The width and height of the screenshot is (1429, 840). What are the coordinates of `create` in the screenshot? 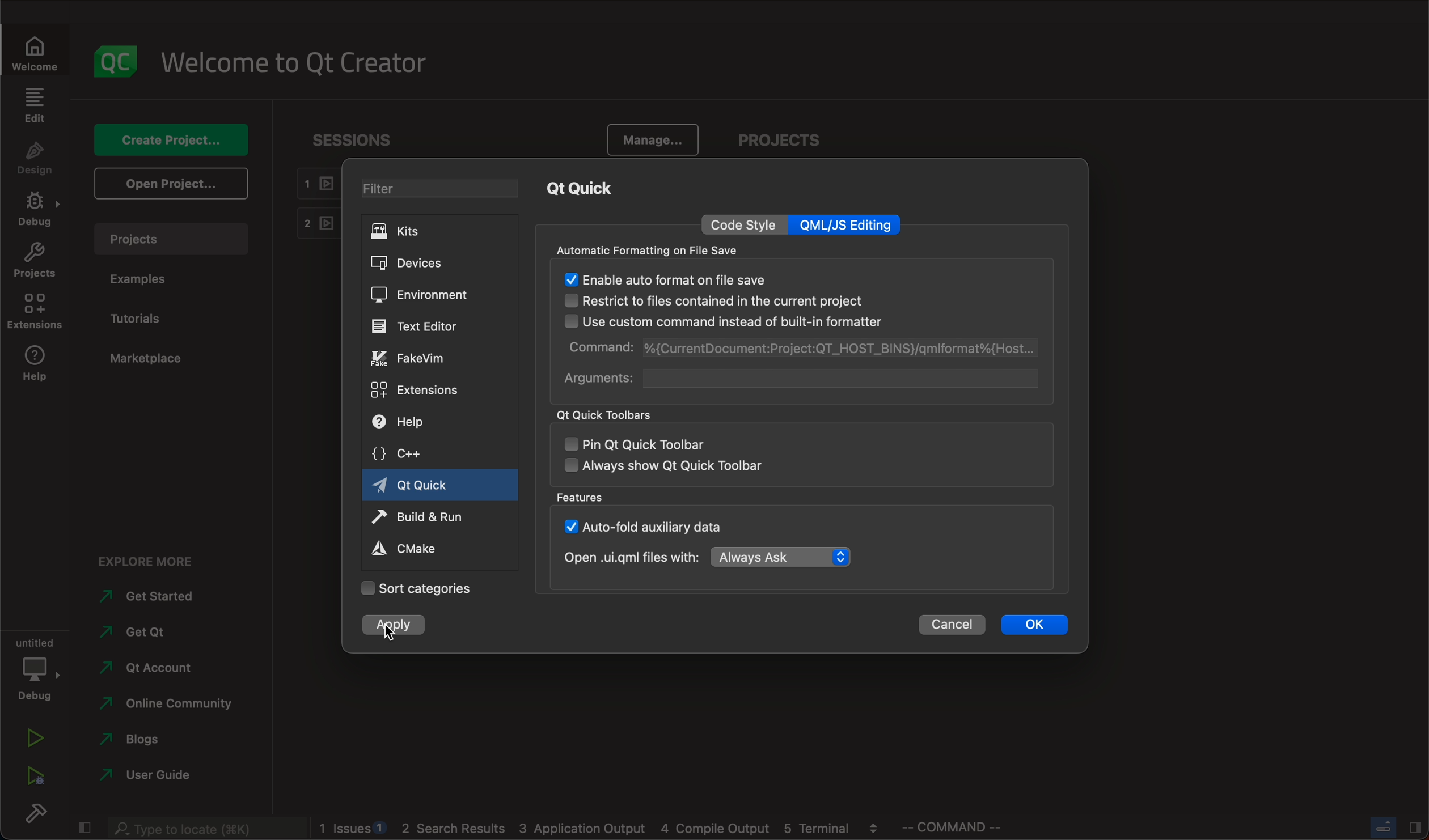 It's located at (172, 141).